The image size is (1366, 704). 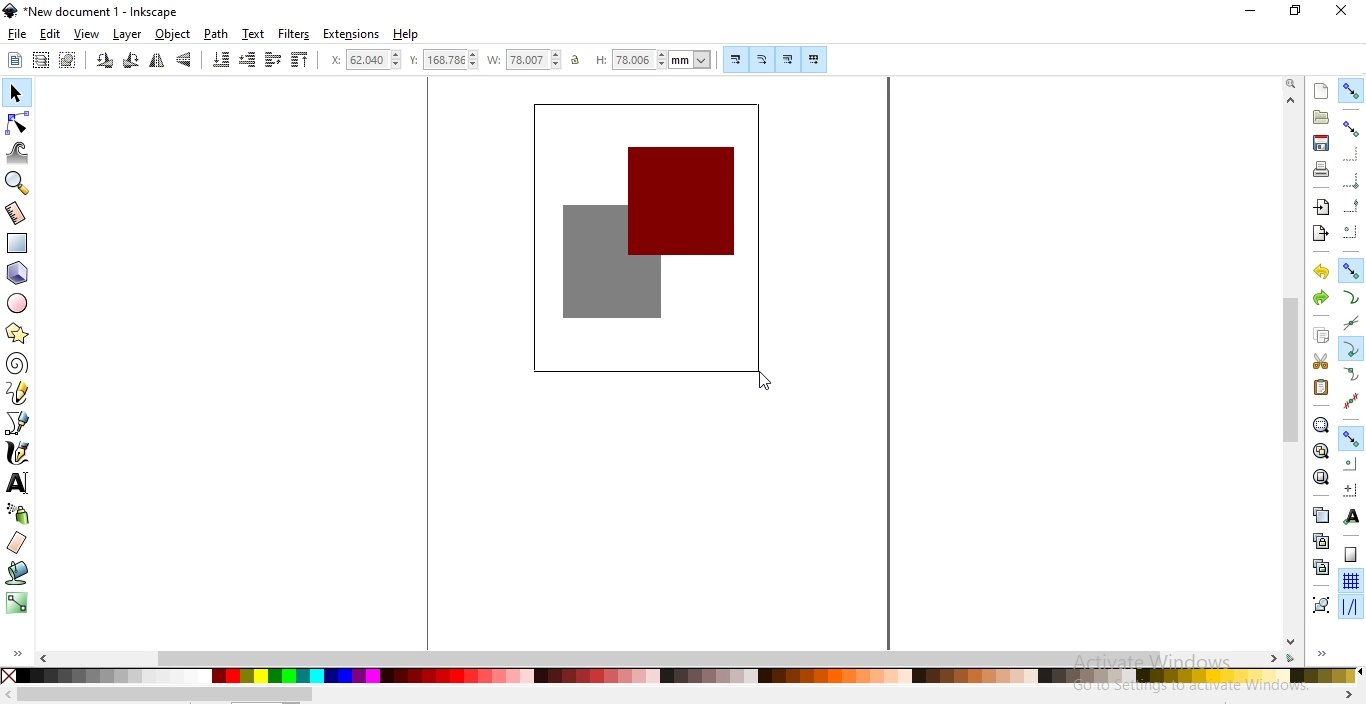 What do you see at coordinates (42, 60) in the screenshot?
I see `select any object in visible and unlocked layers` at bounding box center [42, 60].